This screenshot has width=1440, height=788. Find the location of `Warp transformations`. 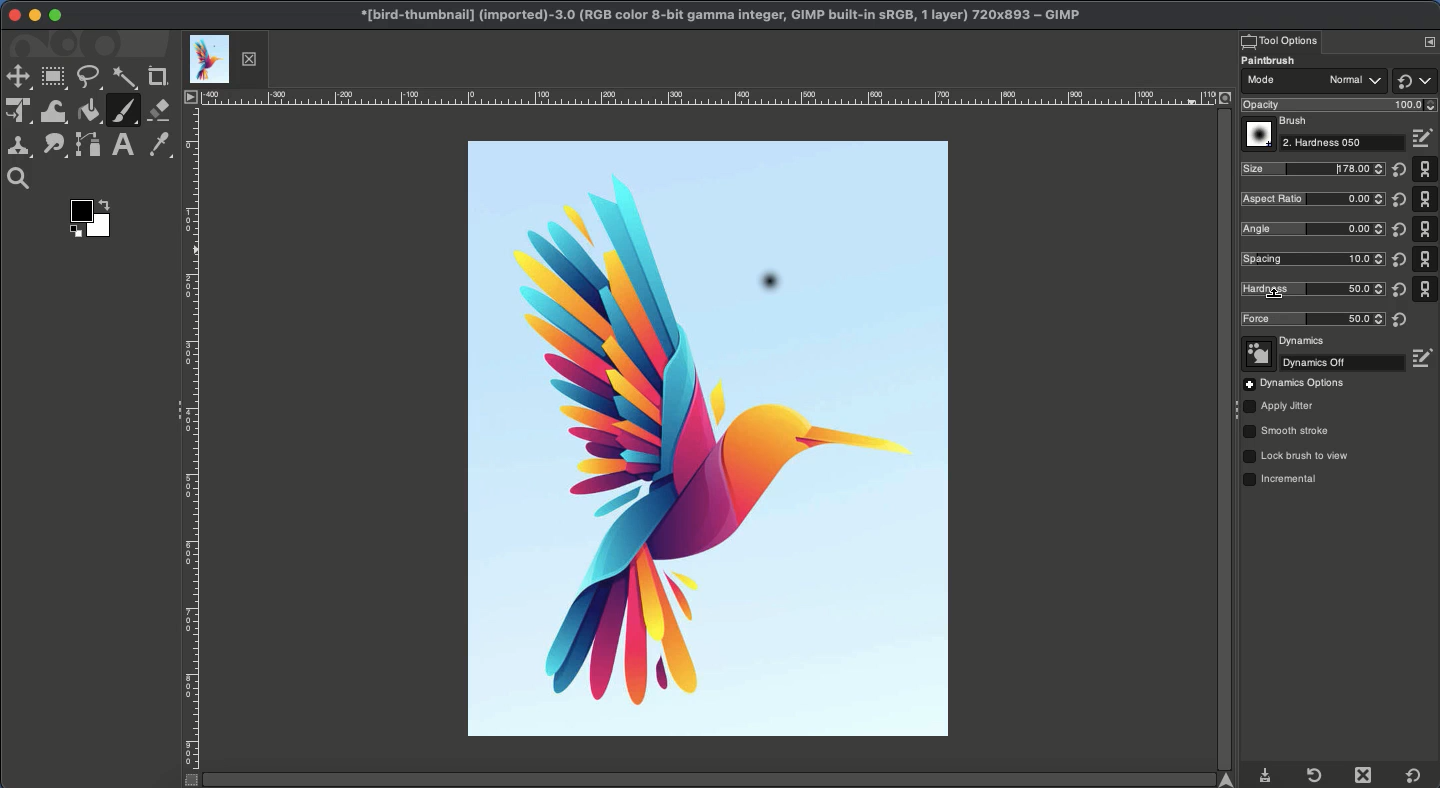

Warp transformations is located at coordinates (56, 113).